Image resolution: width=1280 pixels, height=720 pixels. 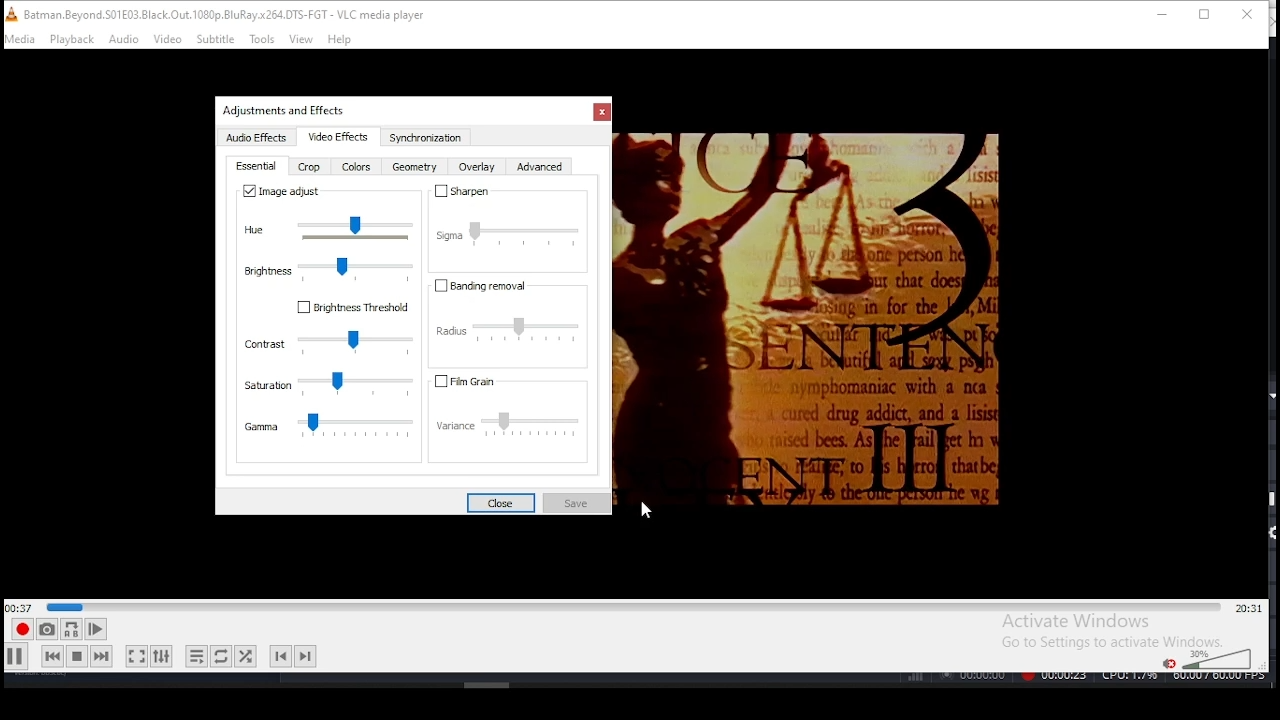 What do you see at coordinates (328, 385) in the screenshot?
I see `saturation settings slider` at bounding box center [328, 385].